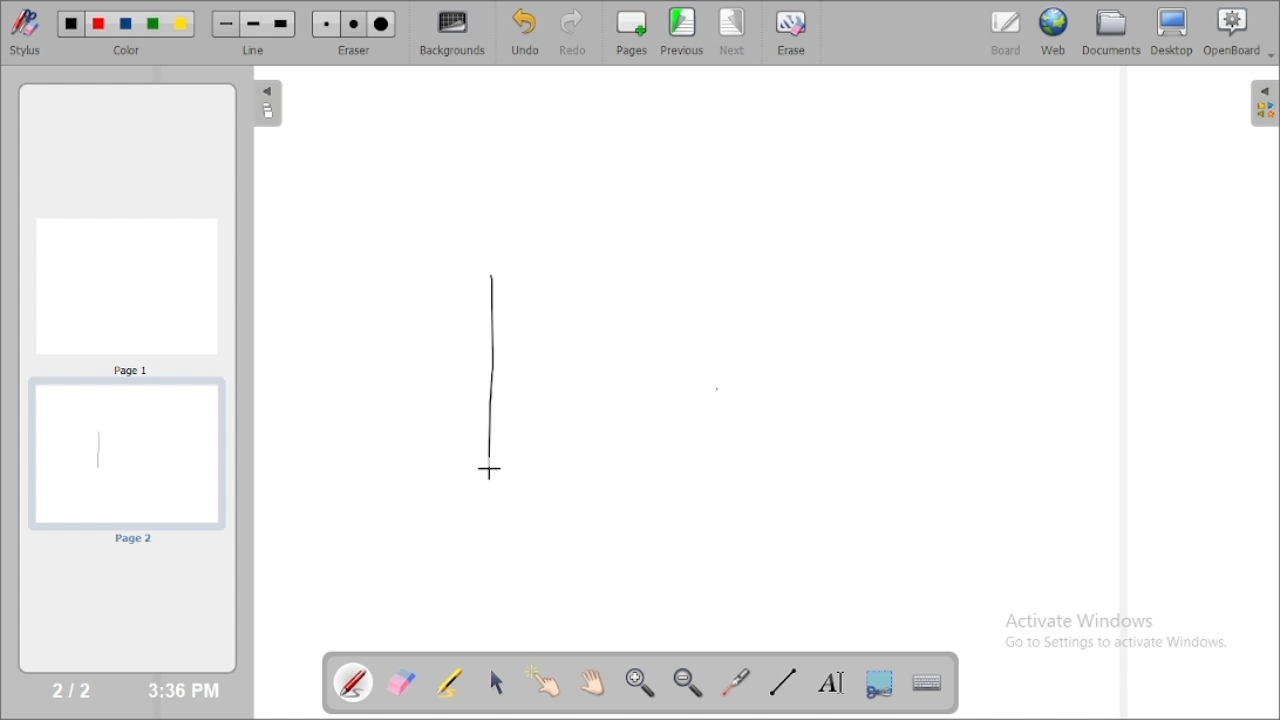 Image resolution: width=1280 pixels, height=720 pixels. Describe the element at coordinates (831, 683) in the screenshot. I see `write text` at that location.